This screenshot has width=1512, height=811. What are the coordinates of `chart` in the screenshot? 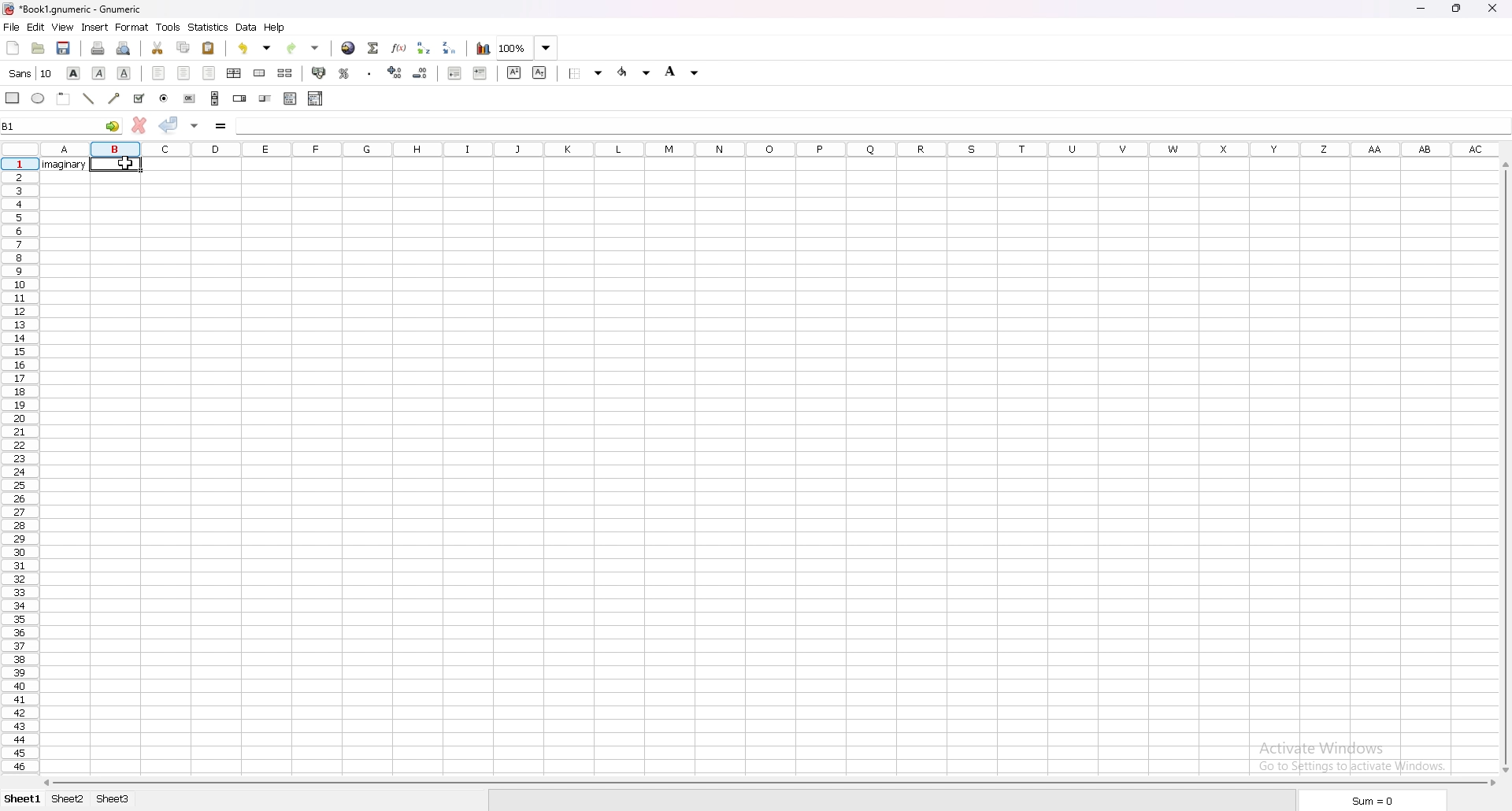 It's located at (483, 49).